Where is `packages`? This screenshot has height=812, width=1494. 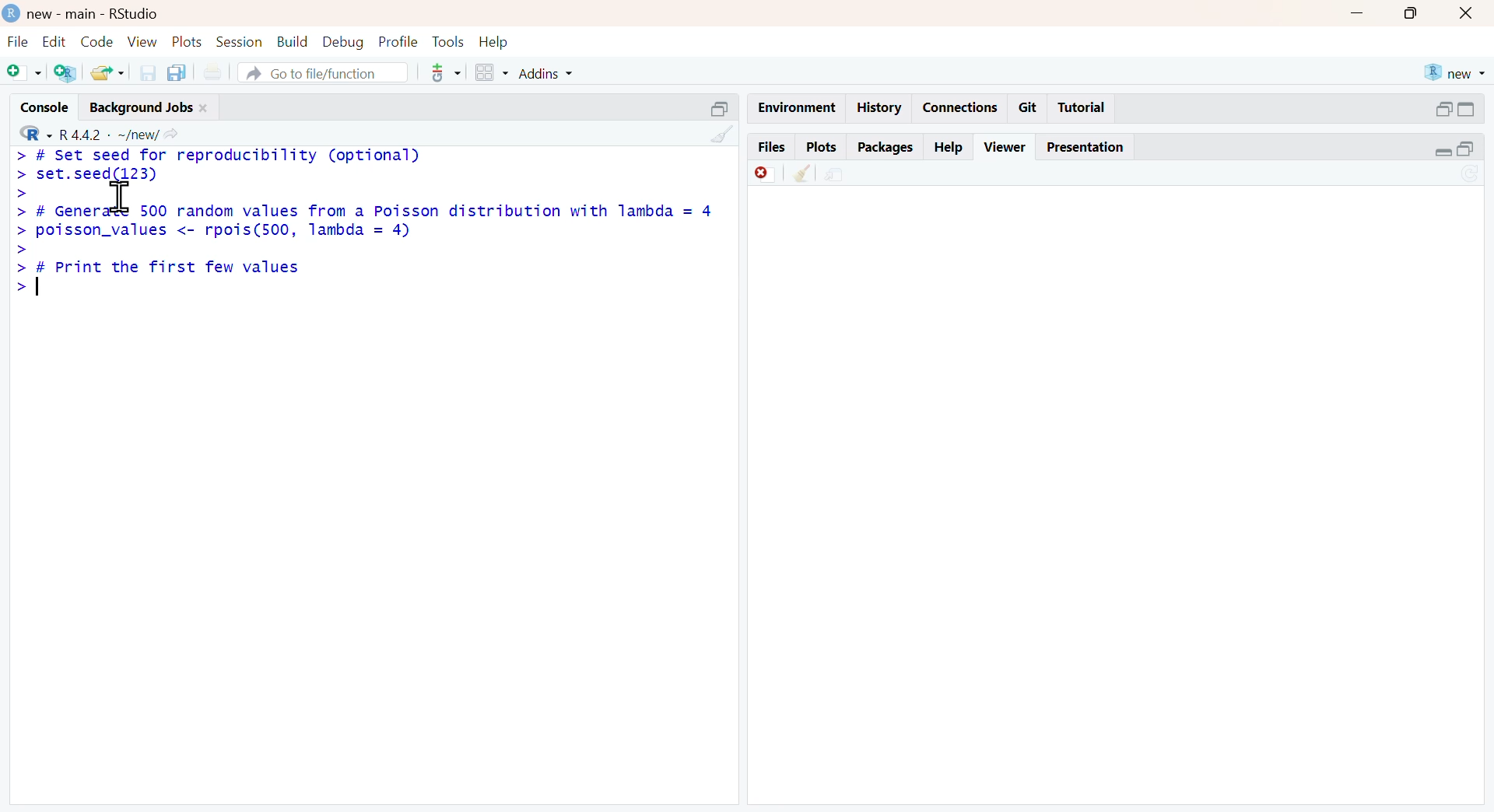
packages is located at coordinates (886, 148).